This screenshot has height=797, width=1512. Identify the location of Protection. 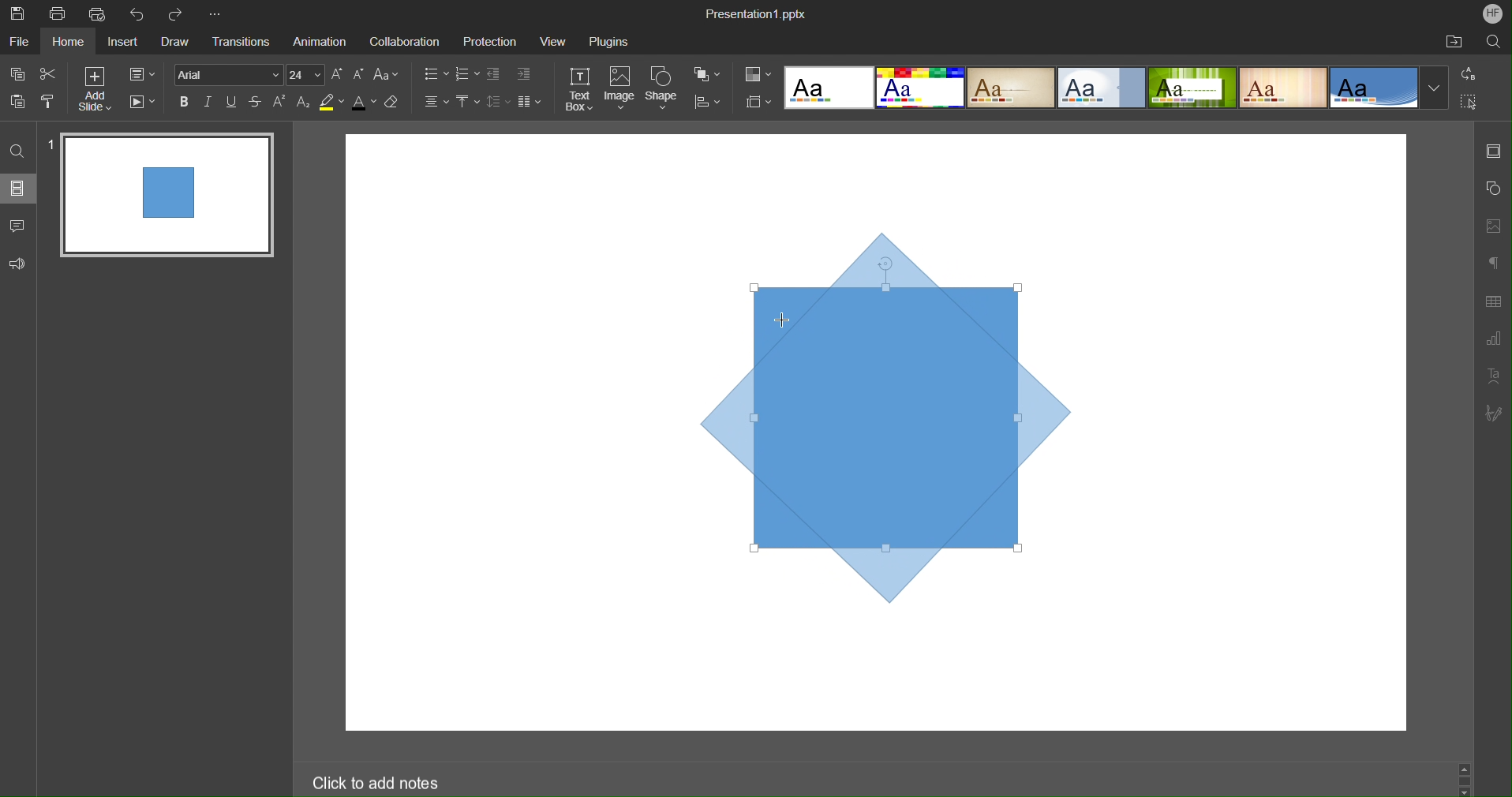
(492, 39).